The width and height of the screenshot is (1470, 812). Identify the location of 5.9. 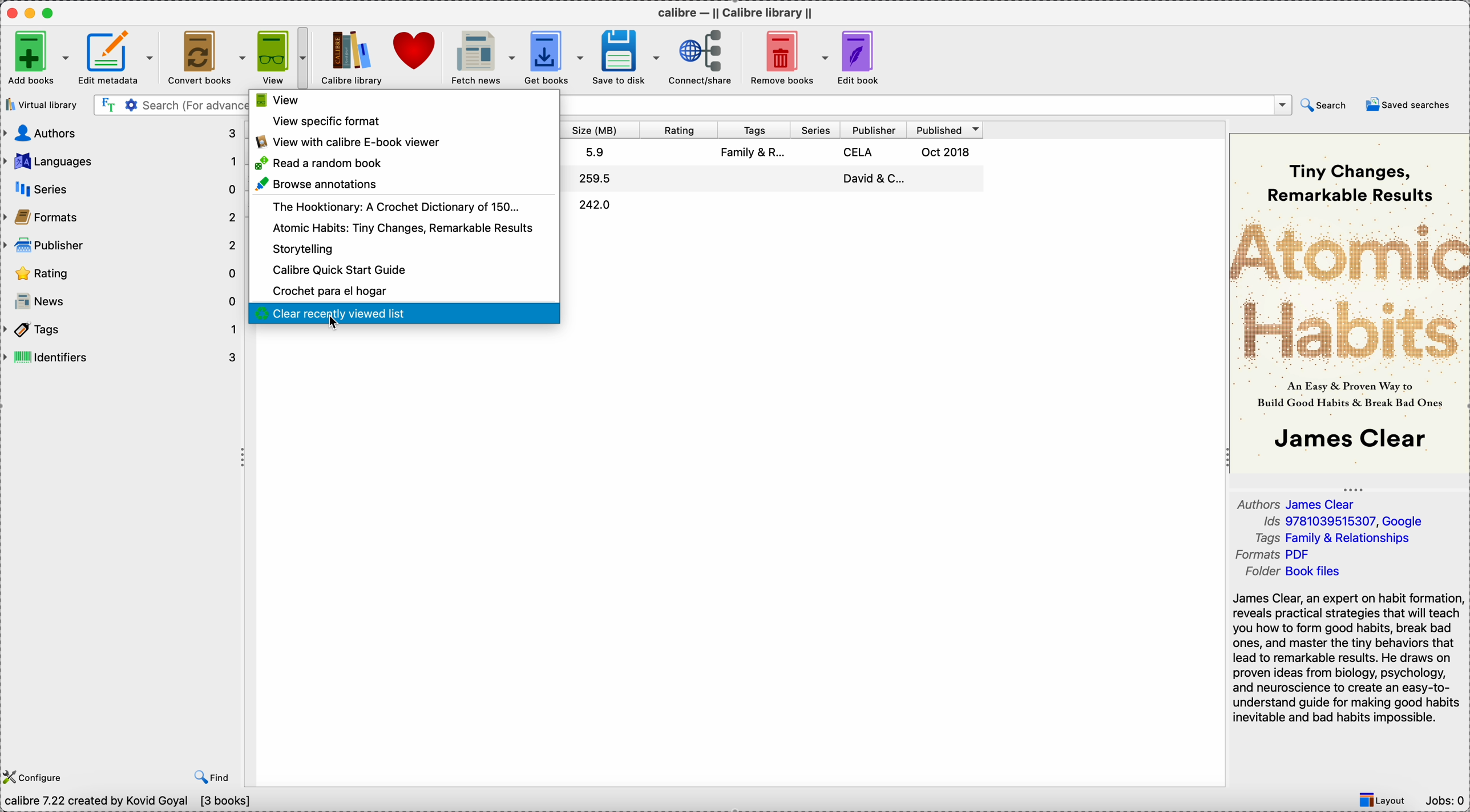
(597, 152).